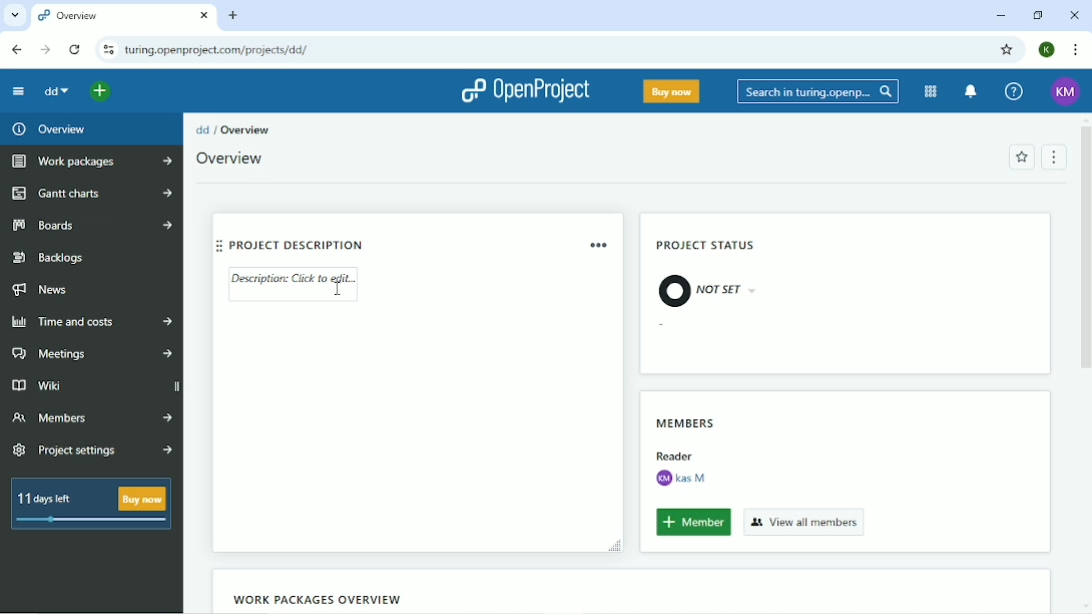  Describe the element at coordinates (94, 451) in the screenshot. I see `Project settings` at that location.